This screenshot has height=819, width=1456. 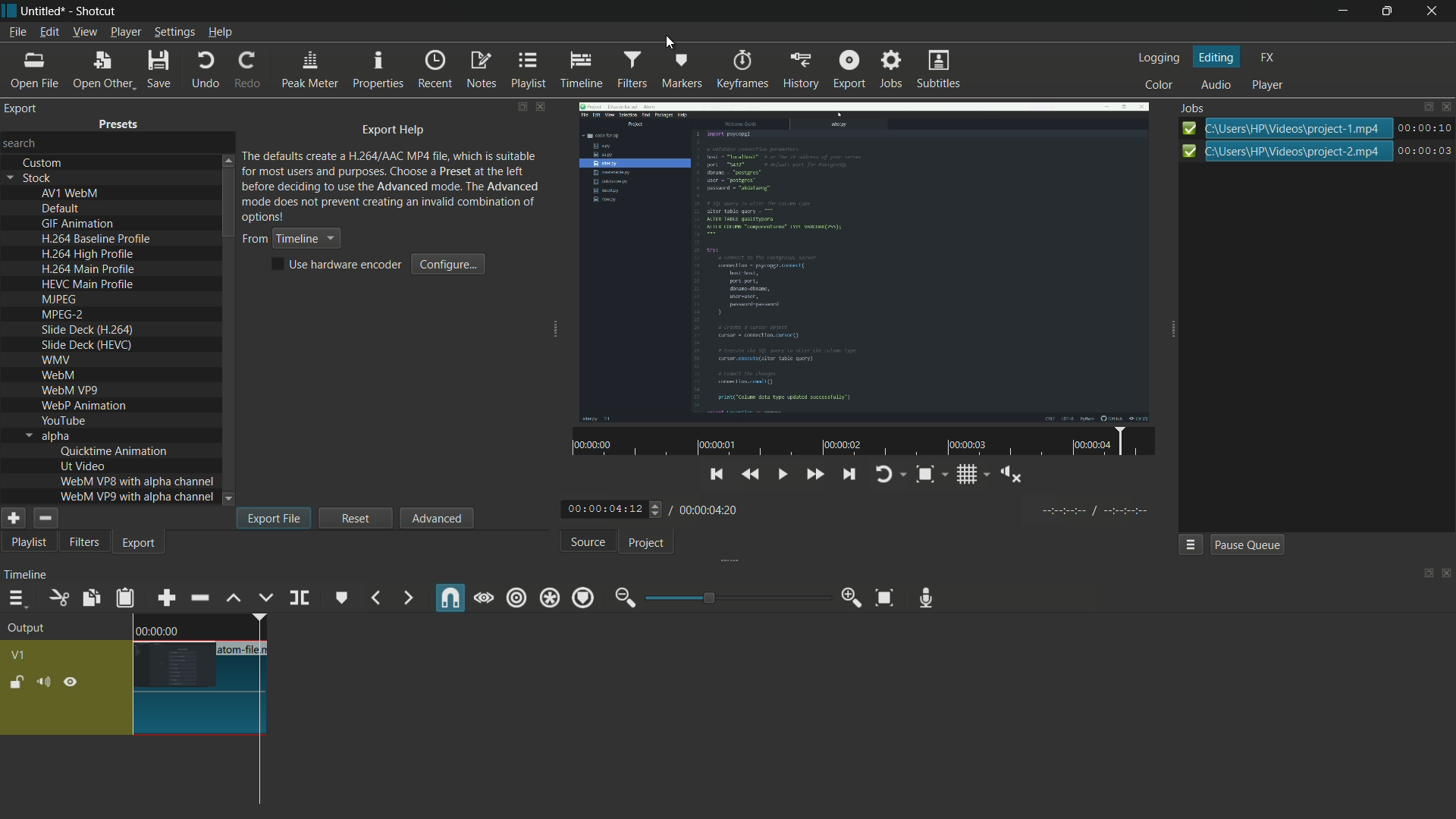 I want to click on ripple markers, so click(x=584, y=599).